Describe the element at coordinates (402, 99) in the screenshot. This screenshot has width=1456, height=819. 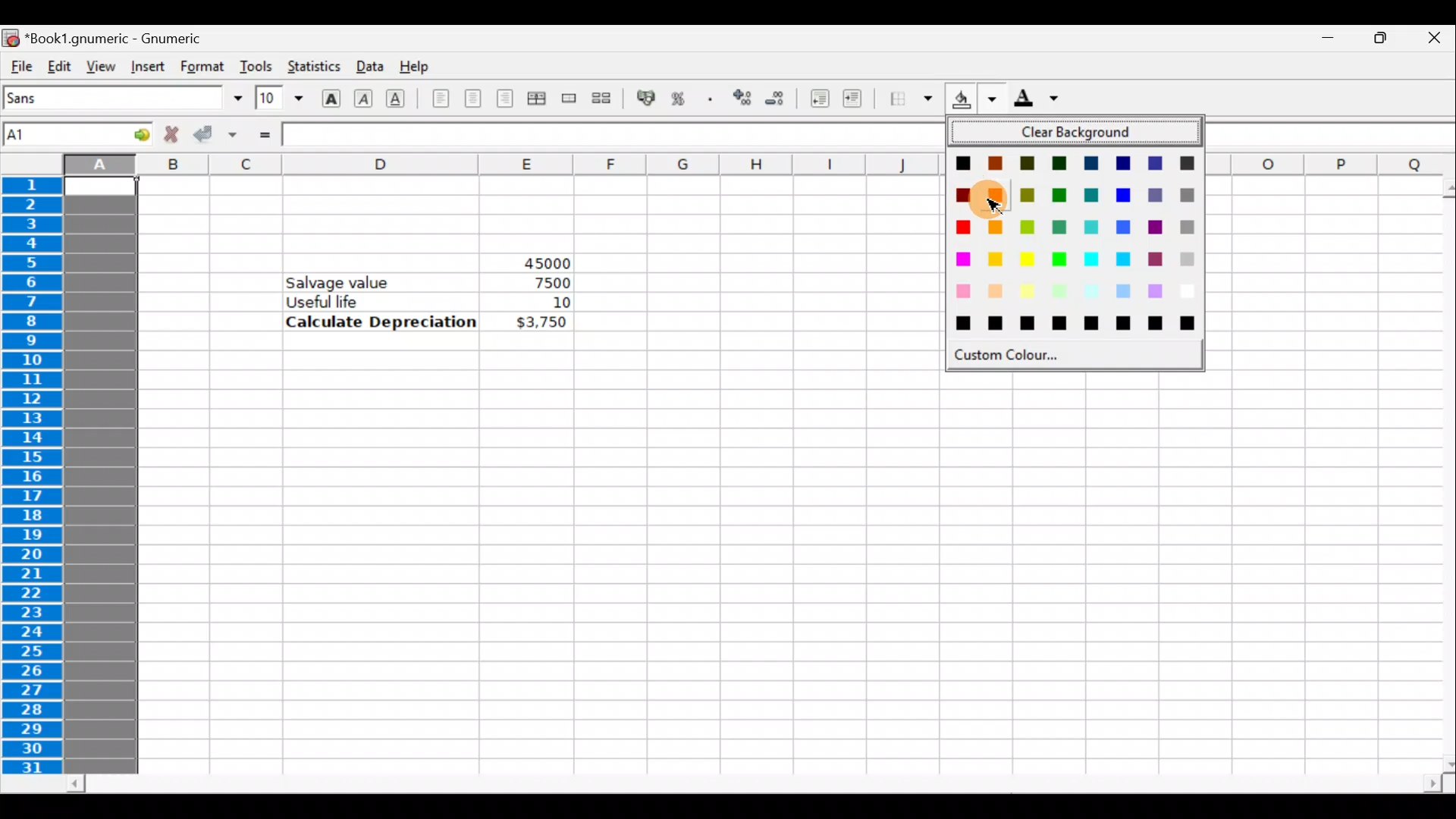
I see `Underline` at that location.